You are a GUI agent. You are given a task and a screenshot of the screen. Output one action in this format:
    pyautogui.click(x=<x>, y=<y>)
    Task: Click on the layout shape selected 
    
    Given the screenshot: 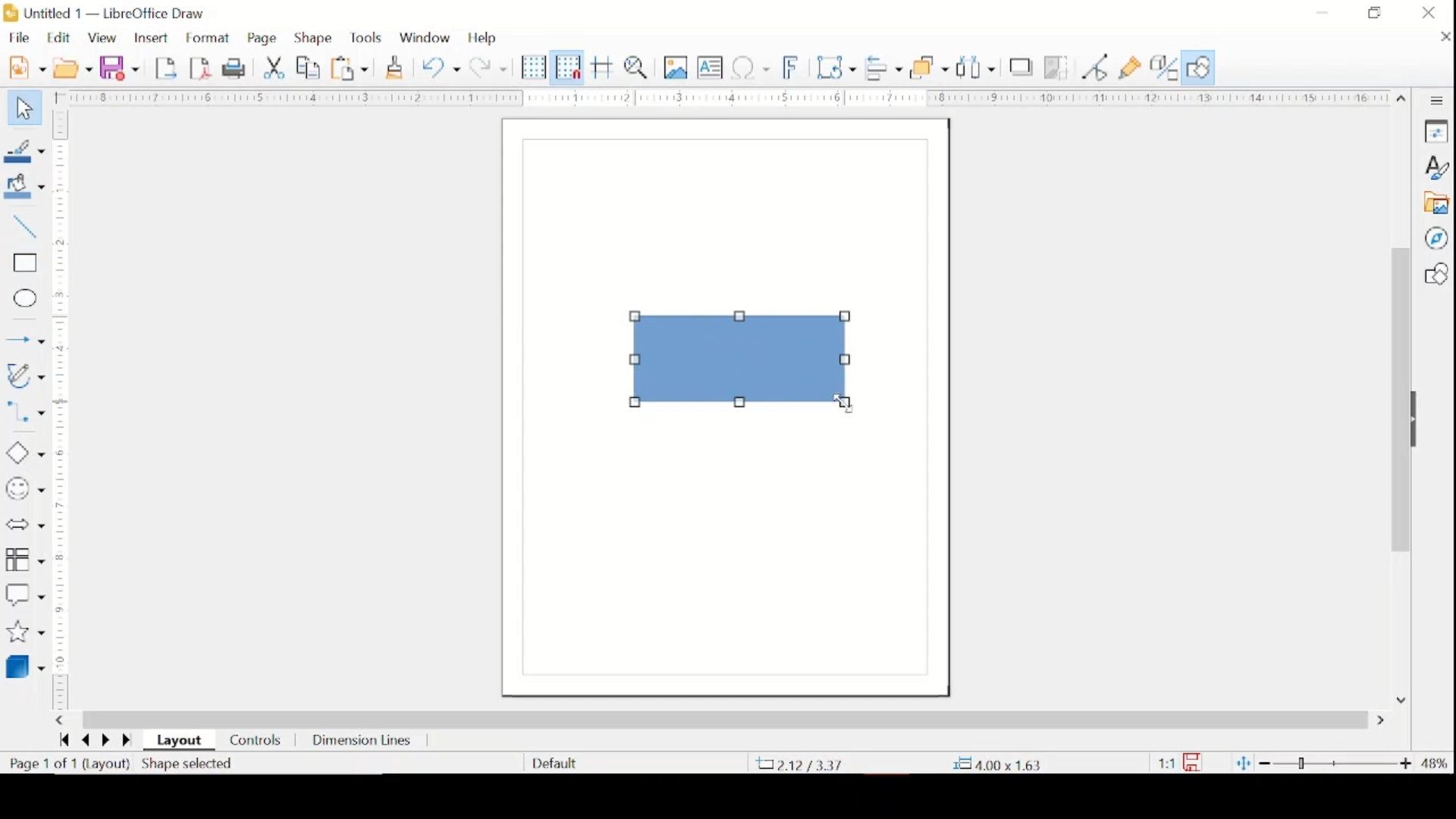 What is the action you would take?
    pyautogui.click(x=159, y=765)
    